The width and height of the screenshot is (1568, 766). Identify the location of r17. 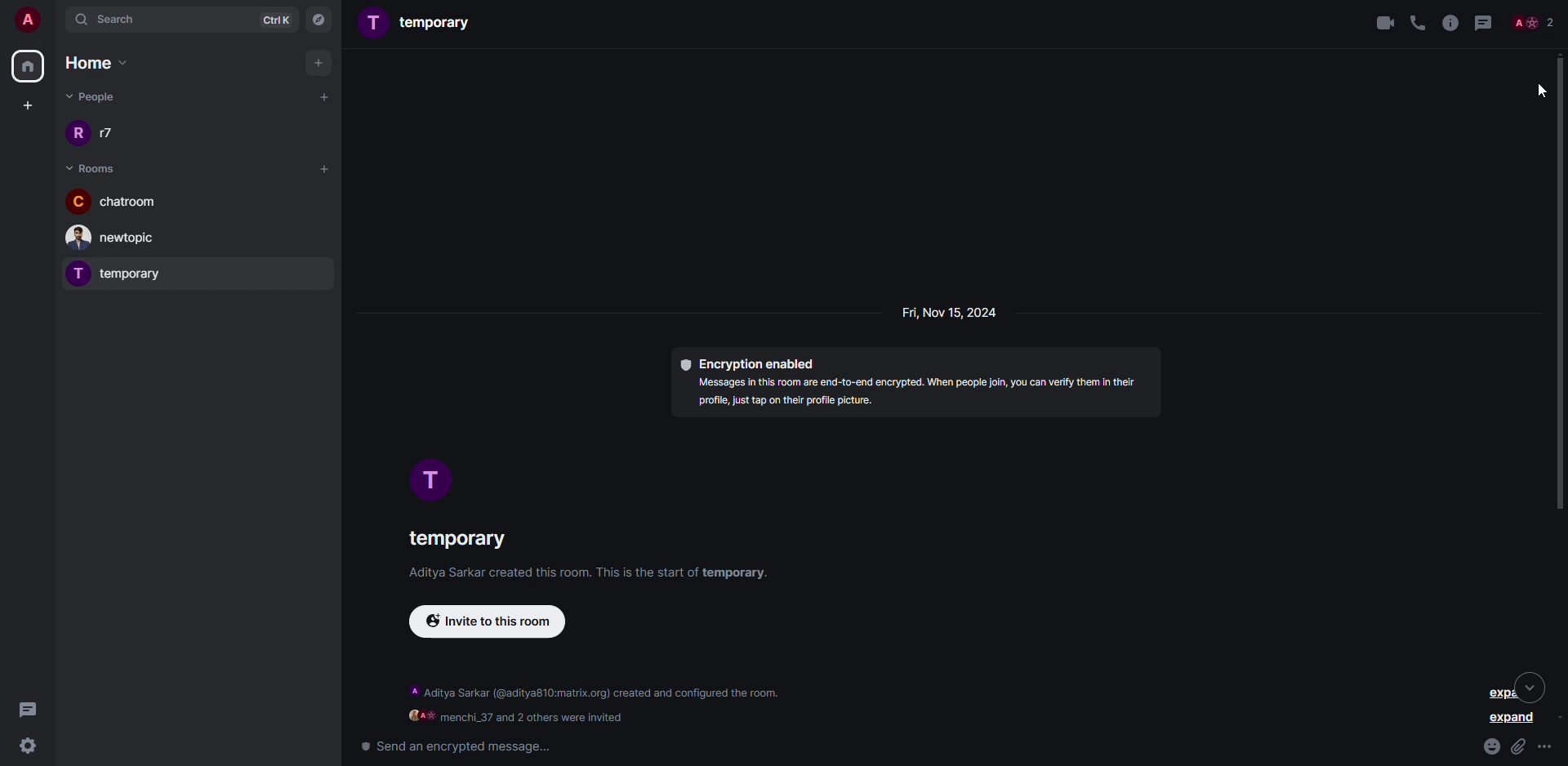
(100, 132).